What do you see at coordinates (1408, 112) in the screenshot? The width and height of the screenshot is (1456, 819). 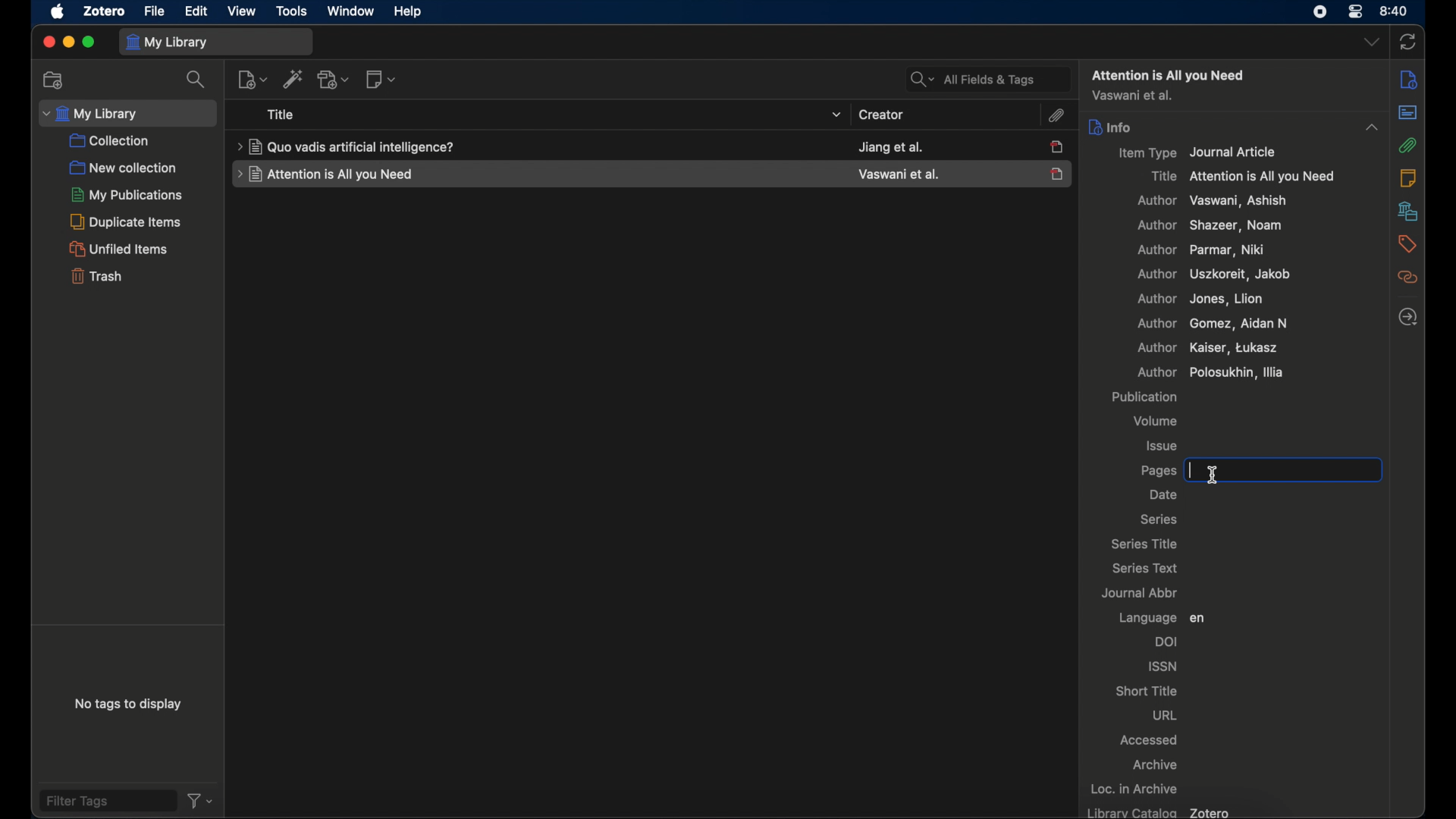 I see `abstract` at bounding box center [1408, 112].